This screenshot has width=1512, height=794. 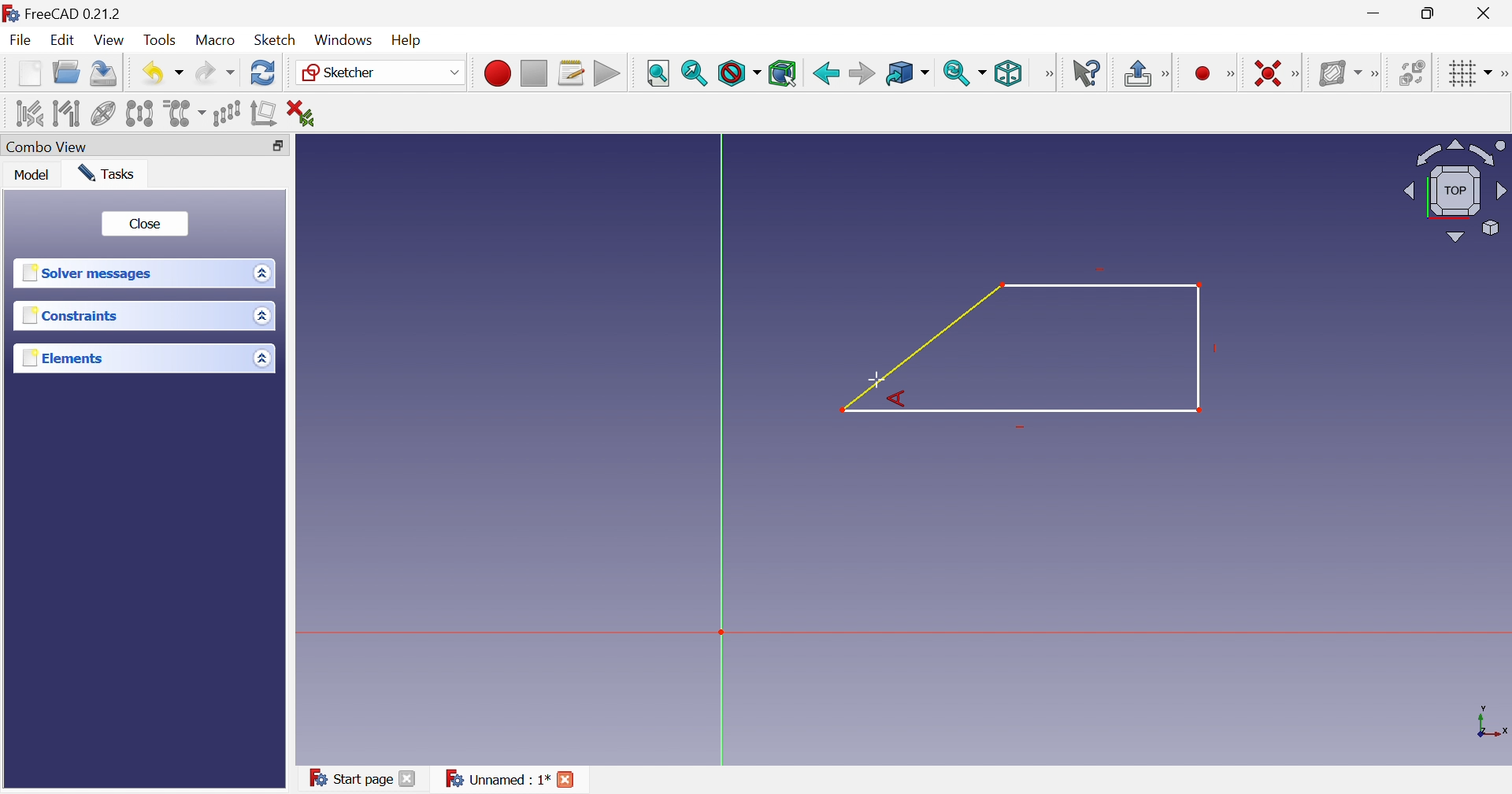 What do you see at coordinates (300, 112) in the screenshot?
I see `Delete all constraints` at bounding box center [300, 112].